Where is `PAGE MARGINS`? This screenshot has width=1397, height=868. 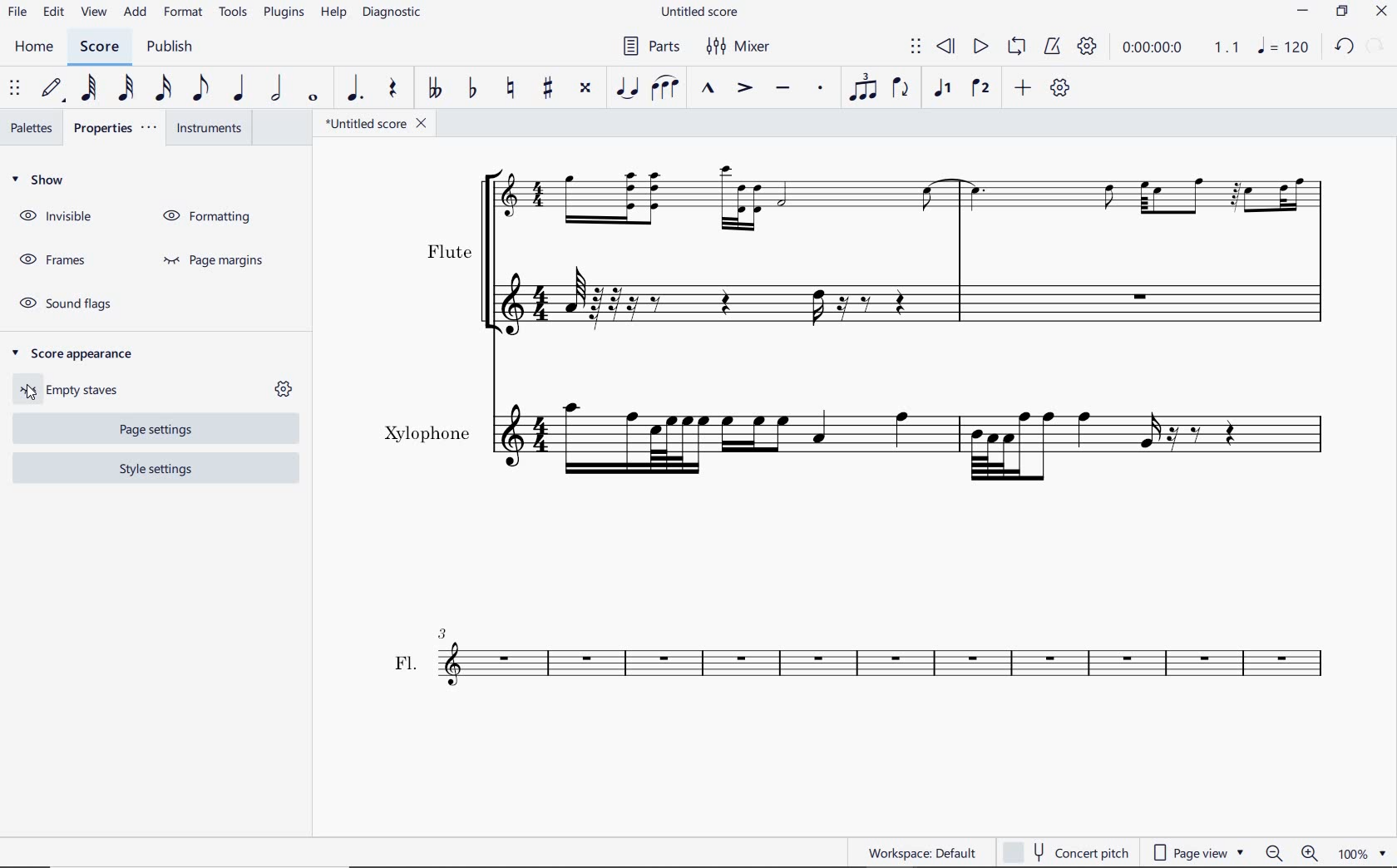
PAGE MARGINS is located at coordinates (222, 259).